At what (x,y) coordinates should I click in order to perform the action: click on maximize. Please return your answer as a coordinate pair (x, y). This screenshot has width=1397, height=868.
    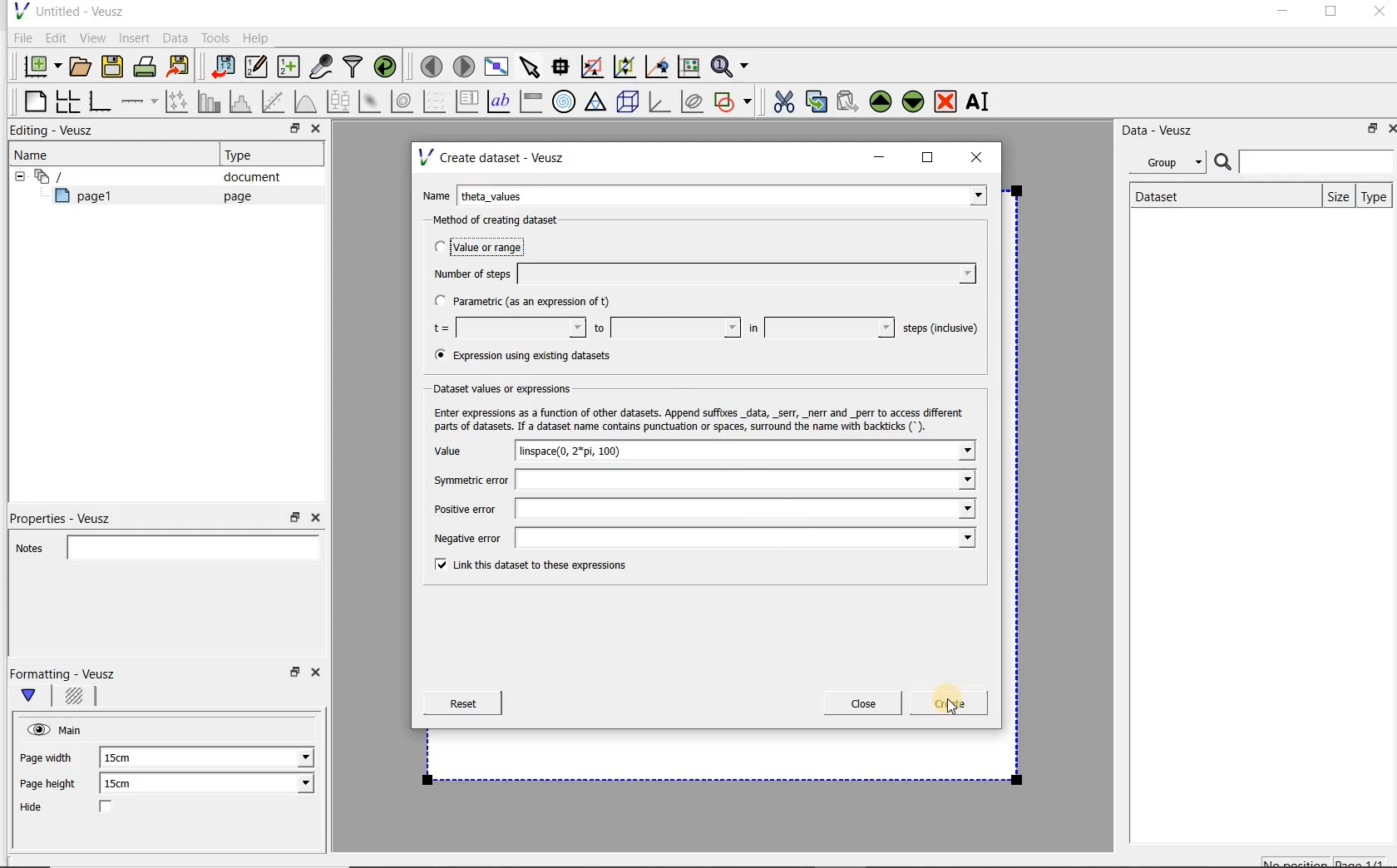
    Looking at the image, I should click on (1331, 14).